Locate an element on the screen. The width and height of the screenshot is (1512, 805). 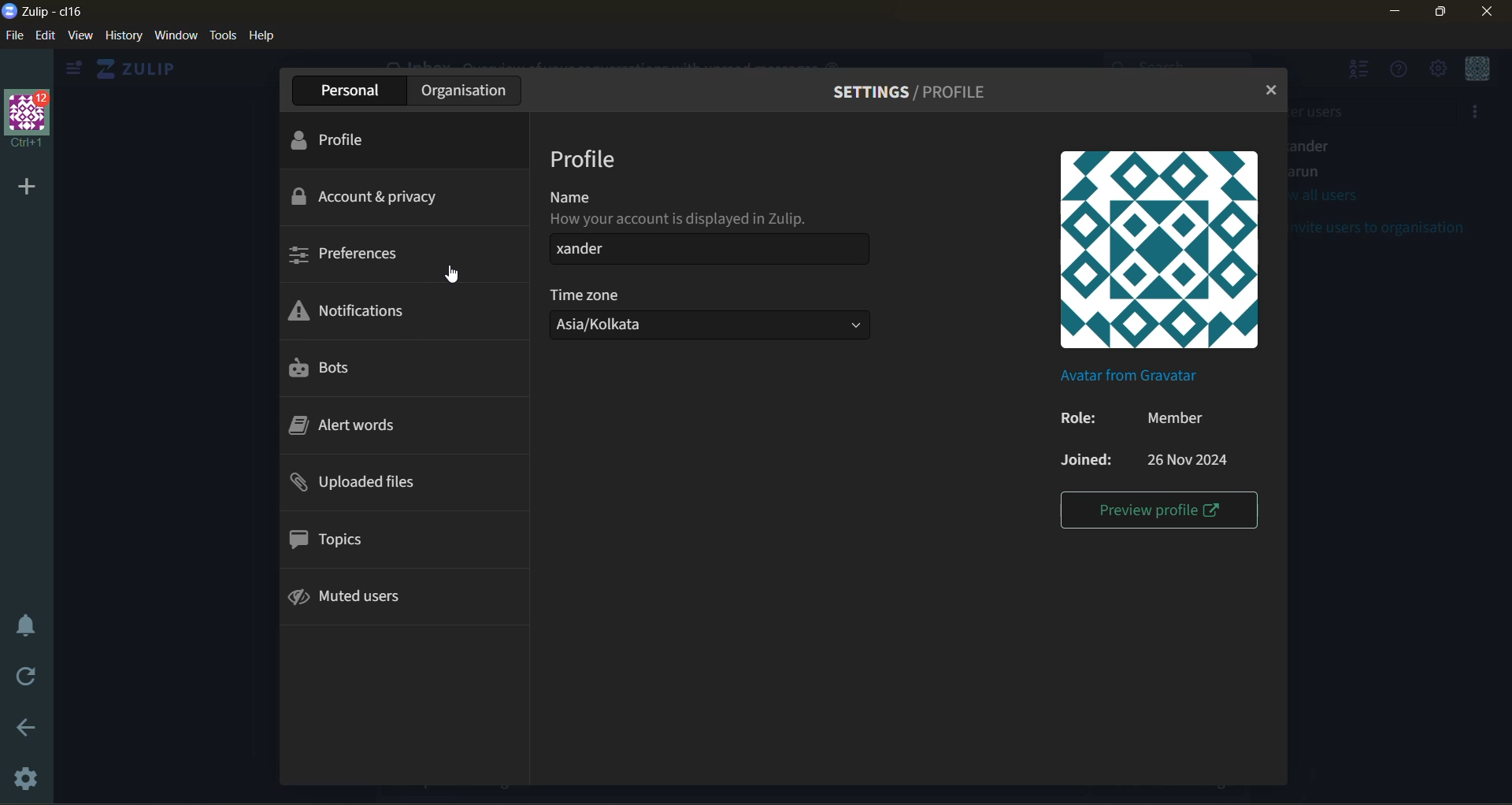
notifications is located at coordinates (353, 312).